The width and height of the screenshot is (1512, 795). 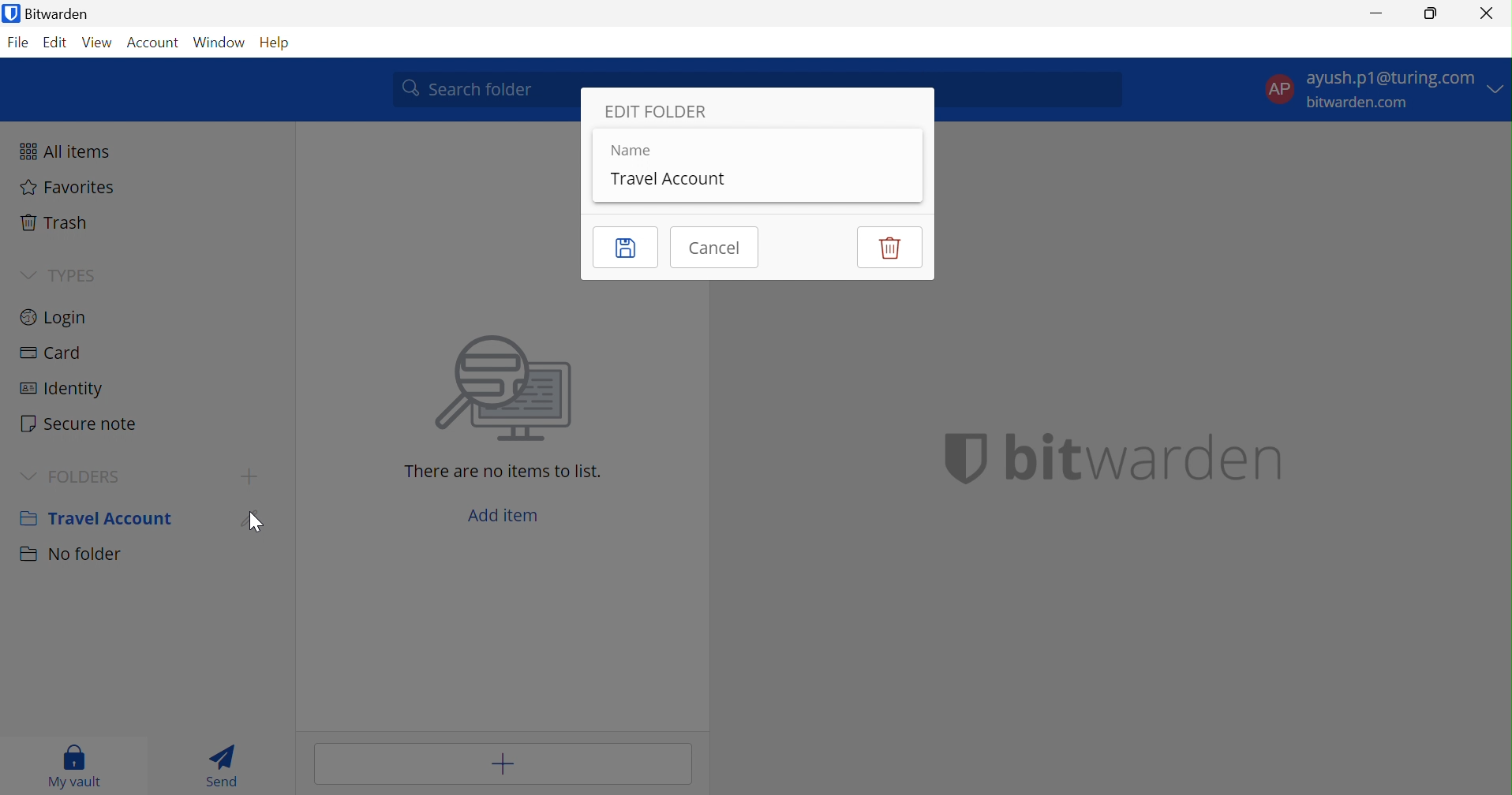 I want to click on Drop Down, so click(x=29, y=474).